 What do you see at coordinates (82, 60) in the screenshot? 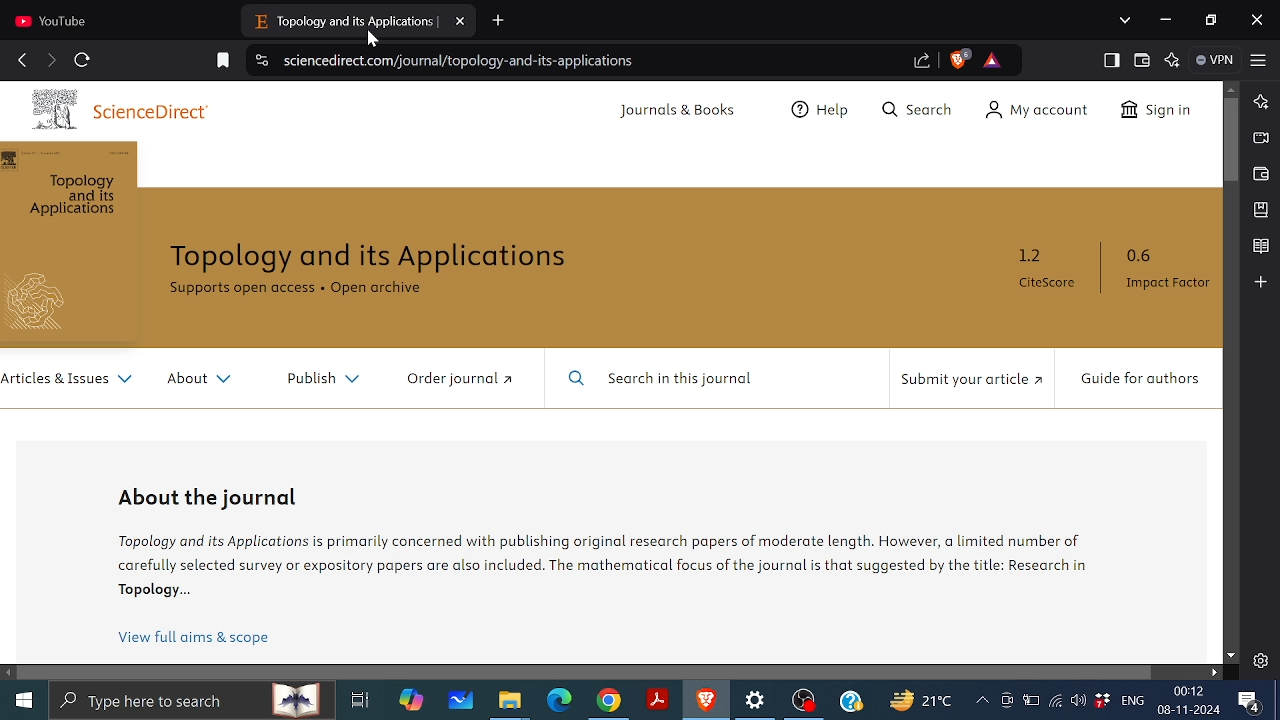
I see `reload` at bounding box center [82, 60].